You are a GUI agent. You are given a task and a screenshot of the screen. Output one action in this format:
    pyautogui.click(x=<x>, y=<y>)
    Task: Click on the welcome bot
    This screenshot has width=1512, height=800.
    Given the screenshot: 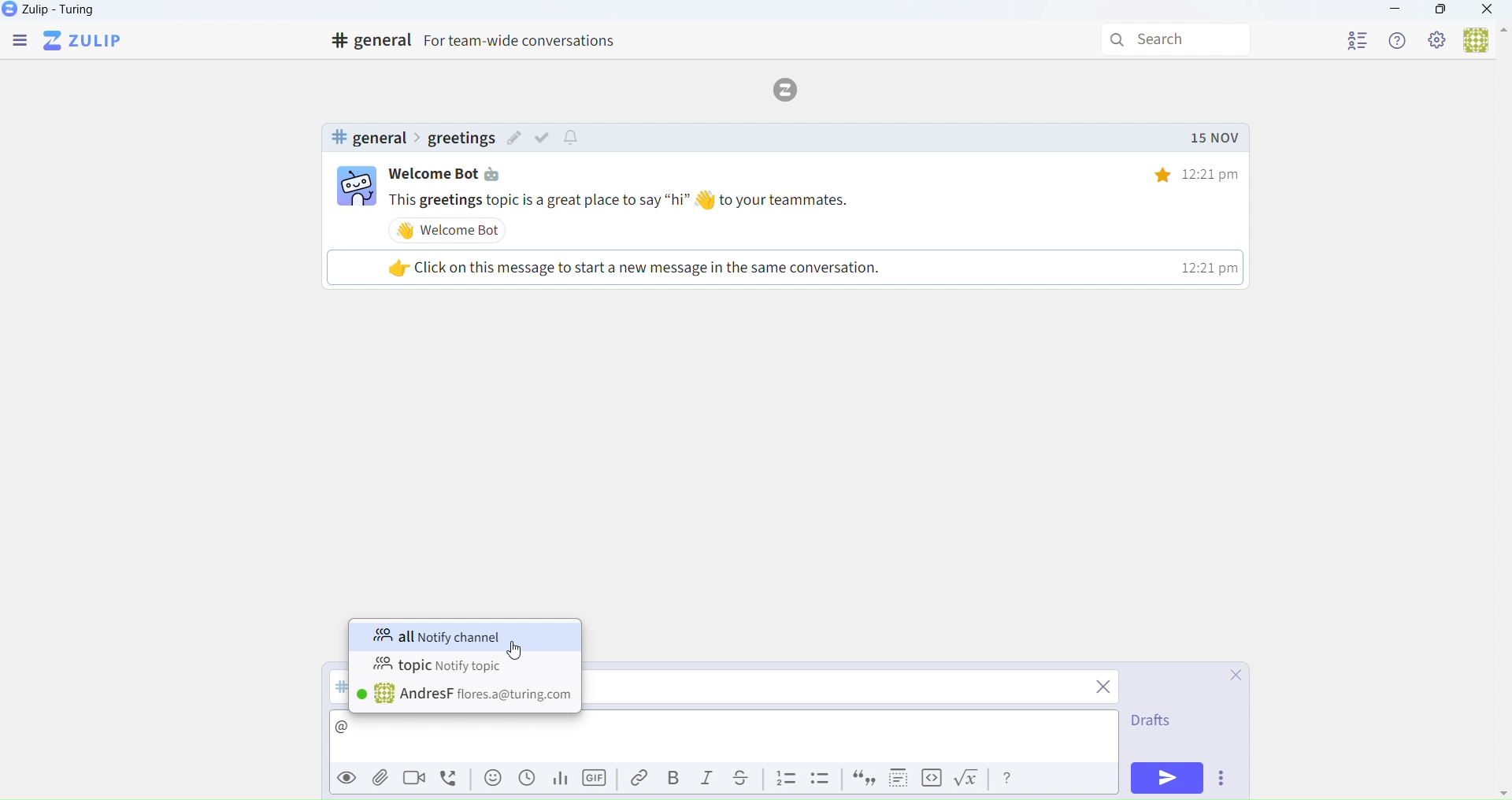 What is the action you would take?
    pyautogui.click(x=452, y=230)
    